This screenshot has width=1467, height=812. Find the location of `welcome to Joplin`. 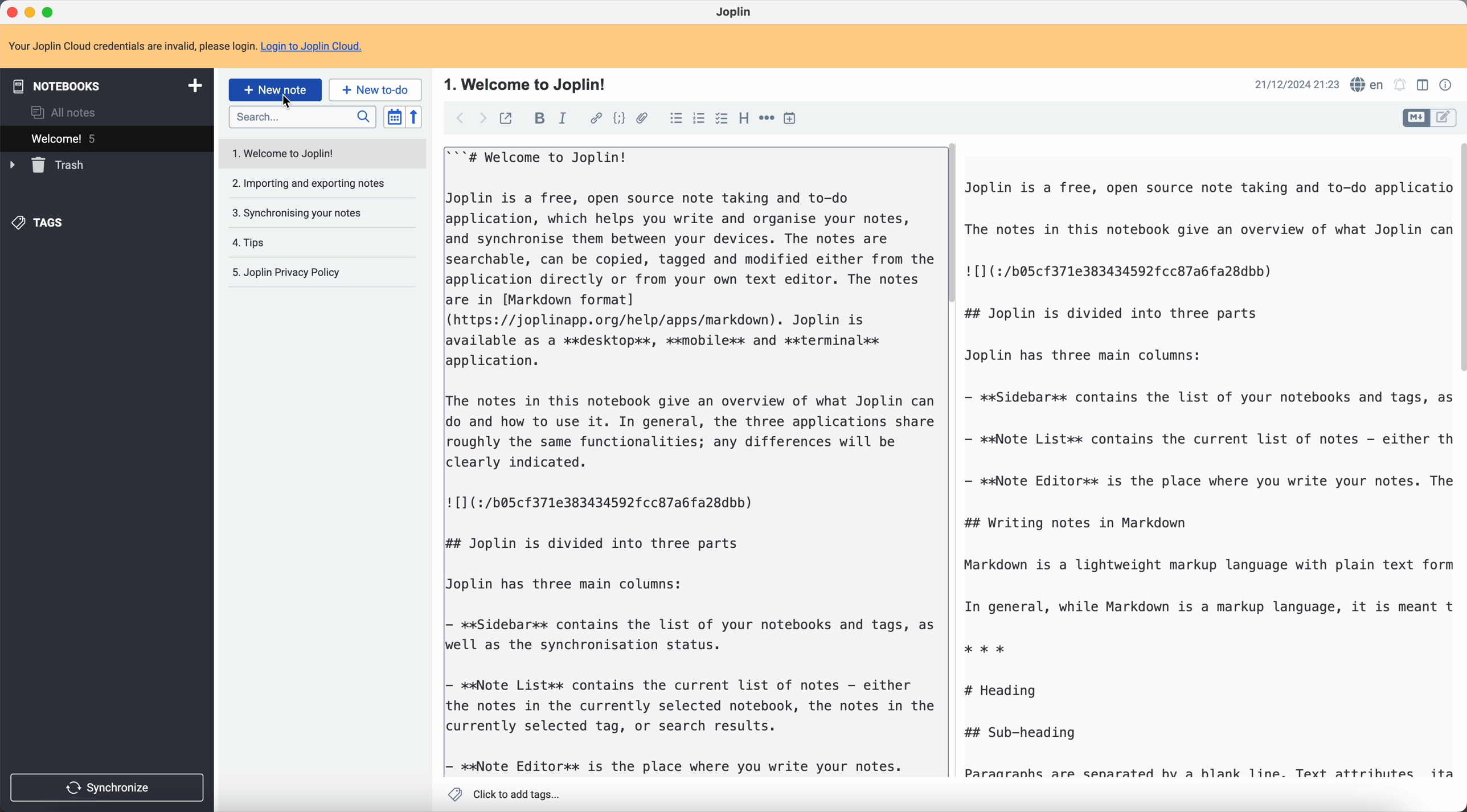

welcome to Joplin is located at coordinates (292, 155).